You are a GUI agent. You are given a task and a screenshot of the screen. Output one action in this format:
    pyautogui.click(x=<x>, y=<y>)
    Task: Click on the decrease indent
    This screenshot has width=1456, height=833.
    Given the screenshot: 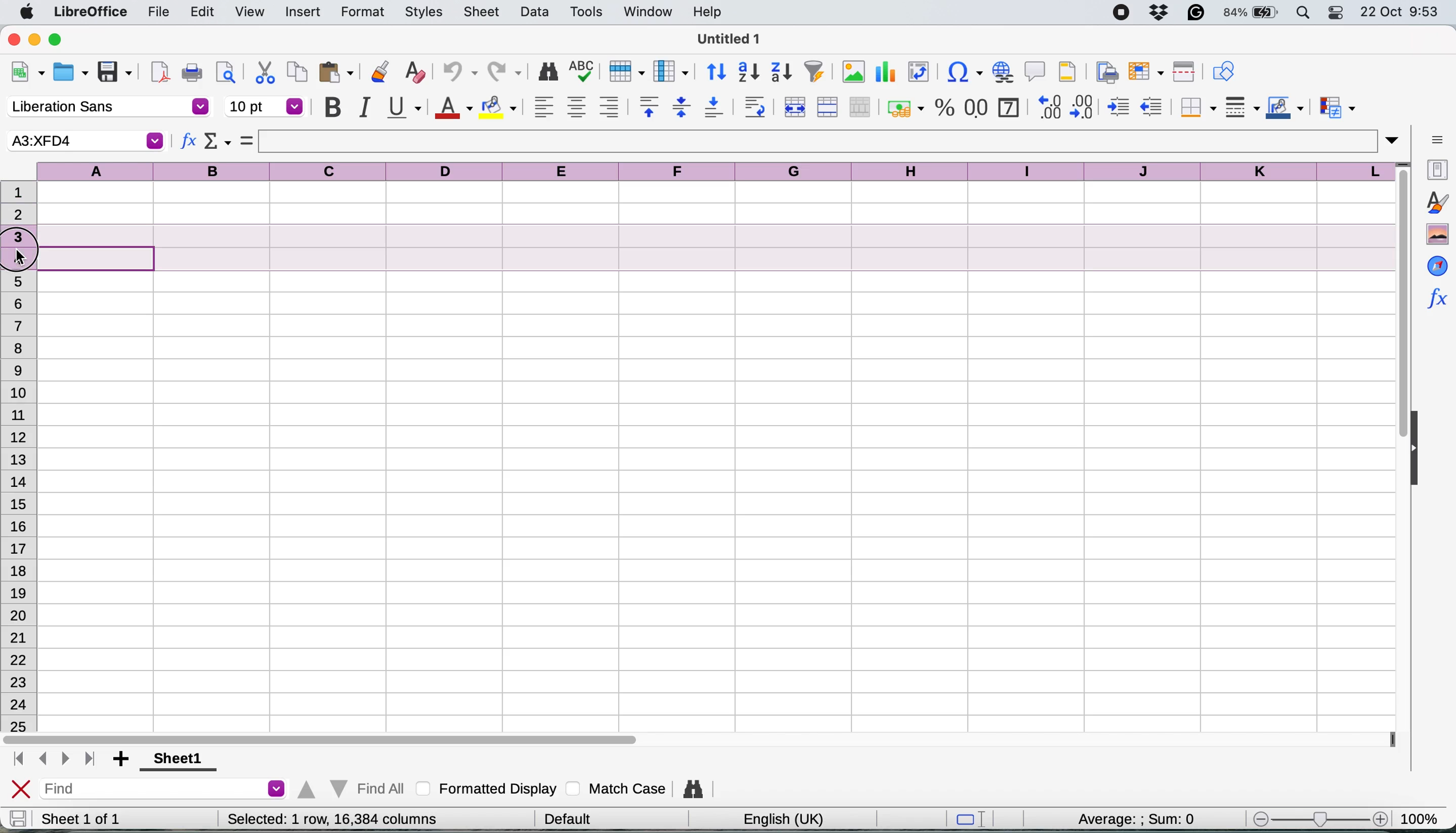 What is the action you would take?
    pyautogui.click(x=1153, y=106)
    